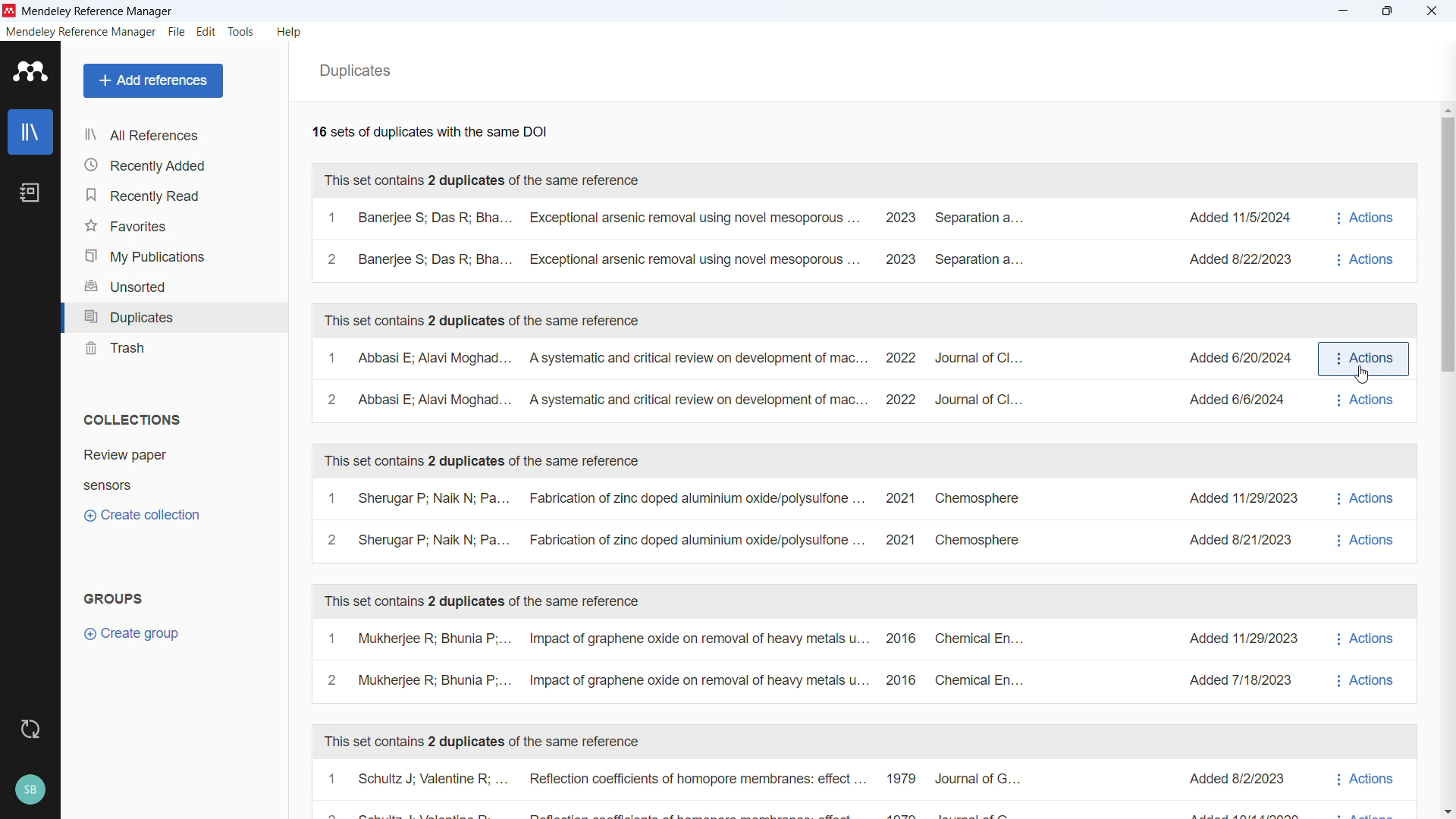  I want to click on help, so click(290, 32).